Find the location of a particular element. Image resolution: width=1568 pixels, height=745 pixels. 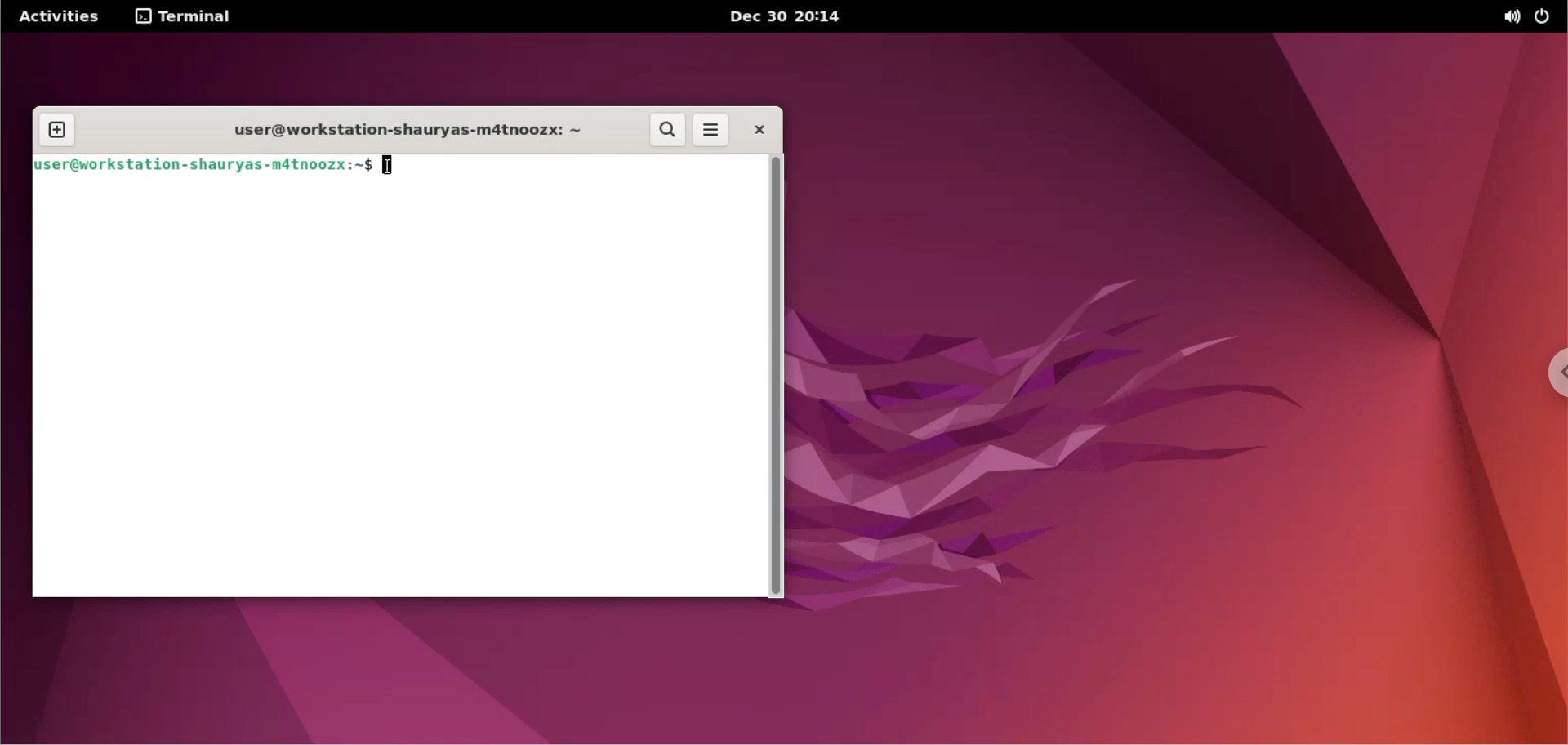

cursor is located at coordinates (395, 167).